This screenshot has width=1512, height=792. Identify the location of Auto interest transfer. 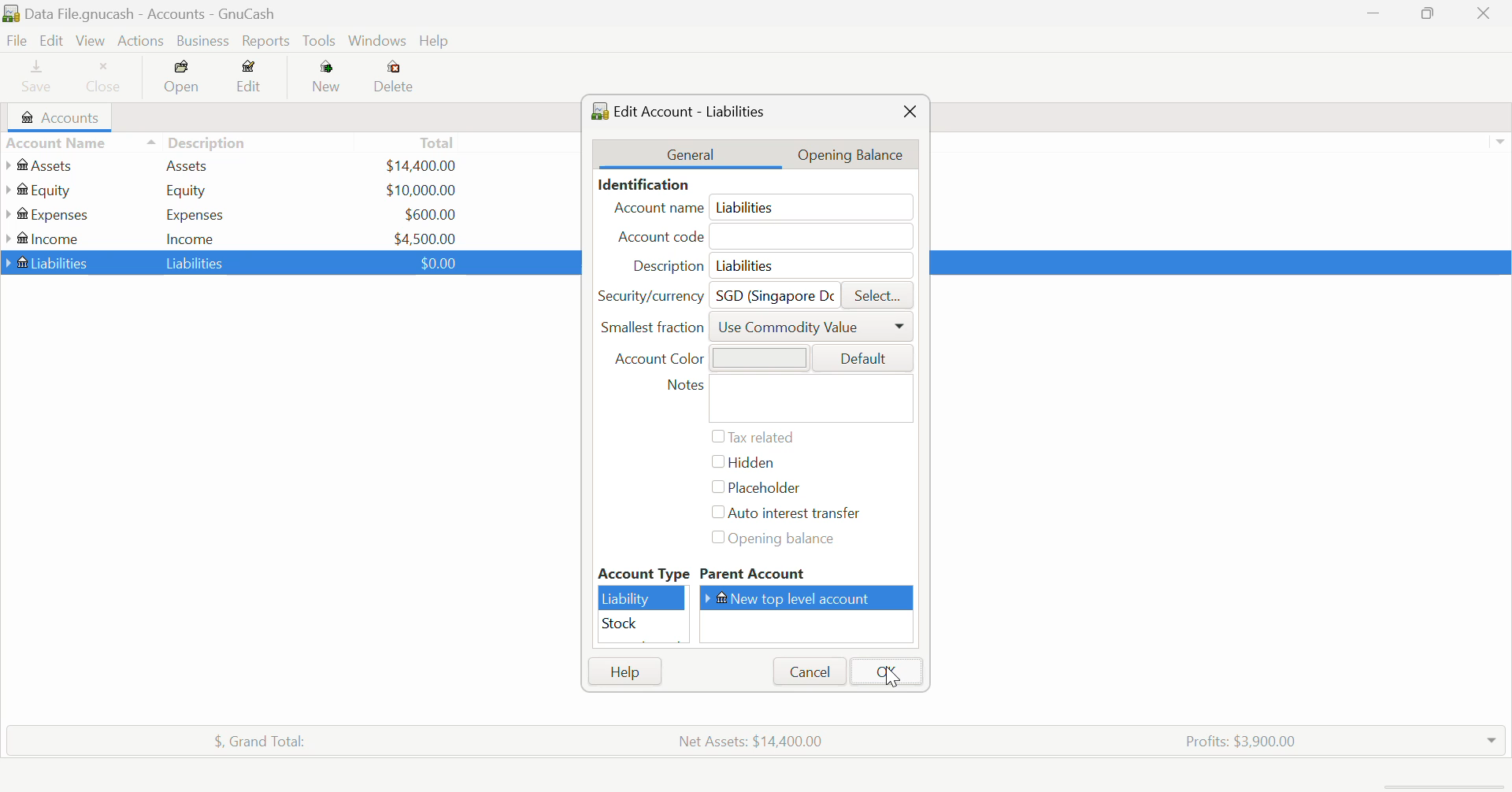
(789, 513).